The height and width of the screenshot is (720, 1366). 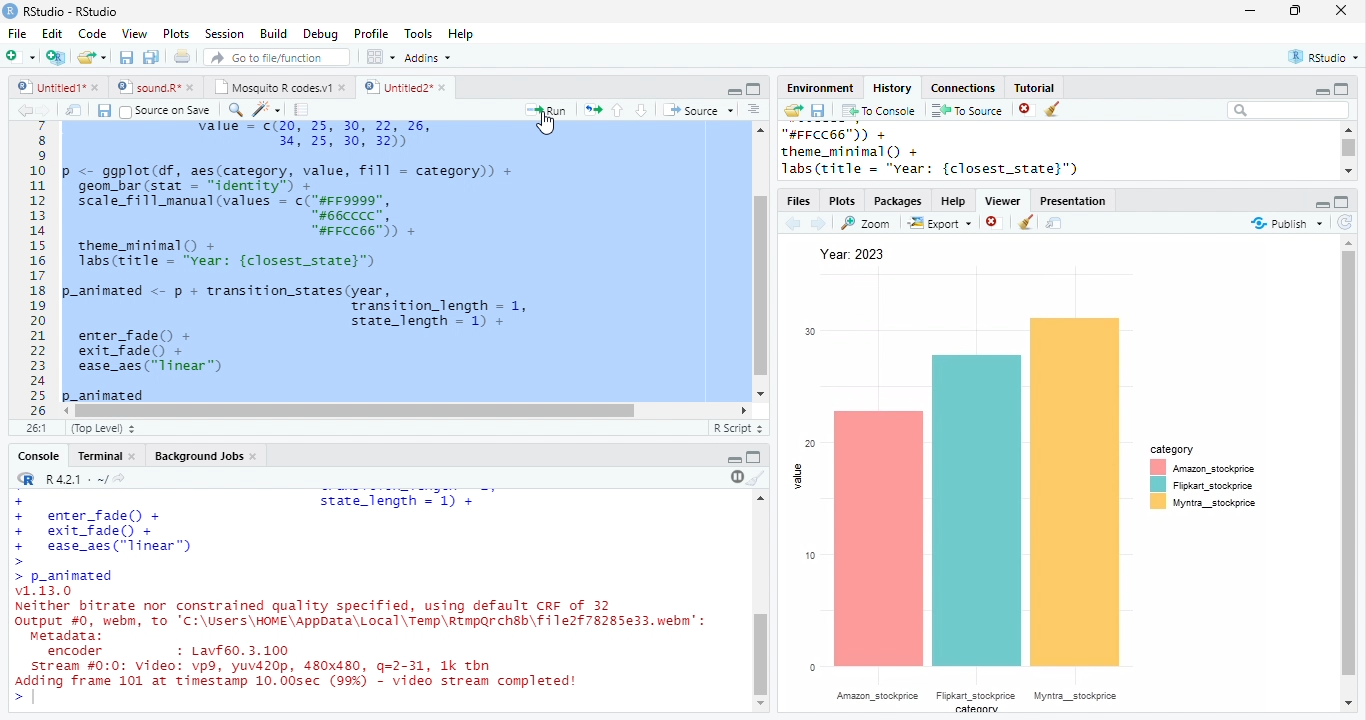 What do you see at coordinates (759, 286) in the screenshot?
I see `scroll bar` at bounding box center [759, 286].